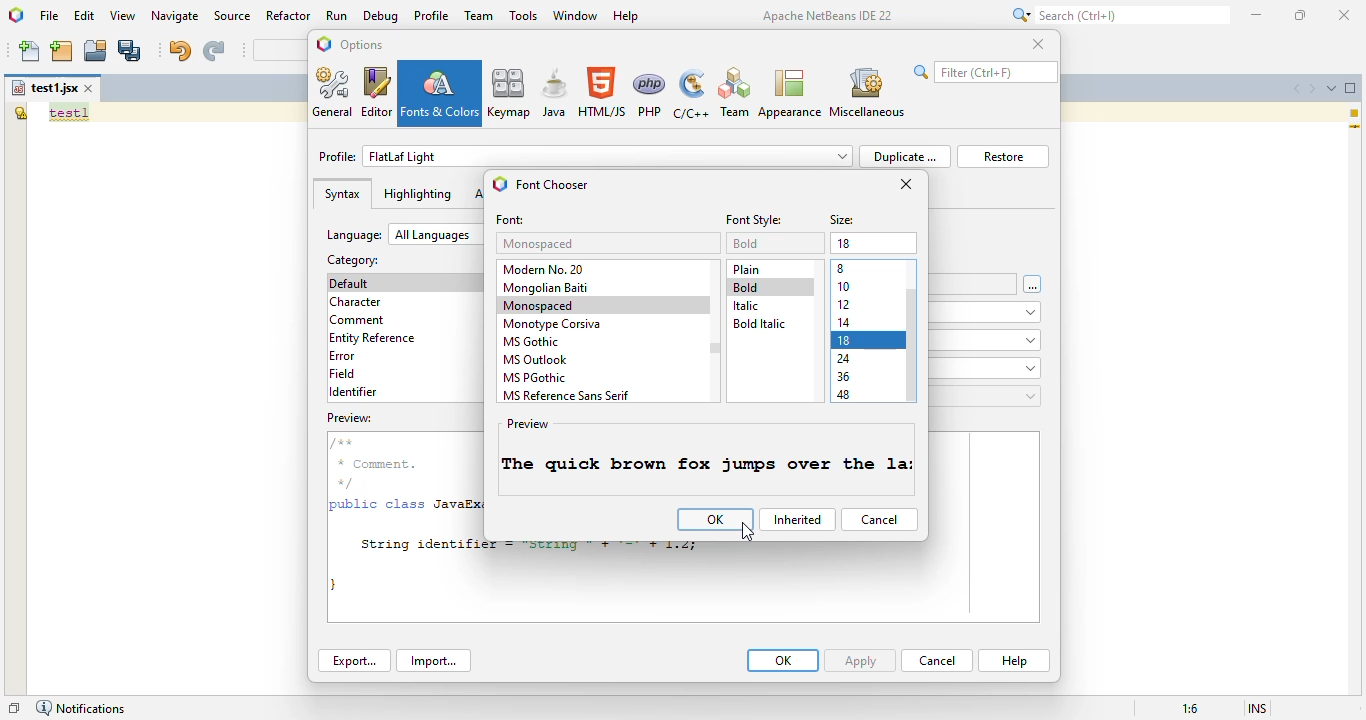  What do you see at coordinates (417, 194) in the screenshot?
I see `highlighting` at bounding box center [417, 194].